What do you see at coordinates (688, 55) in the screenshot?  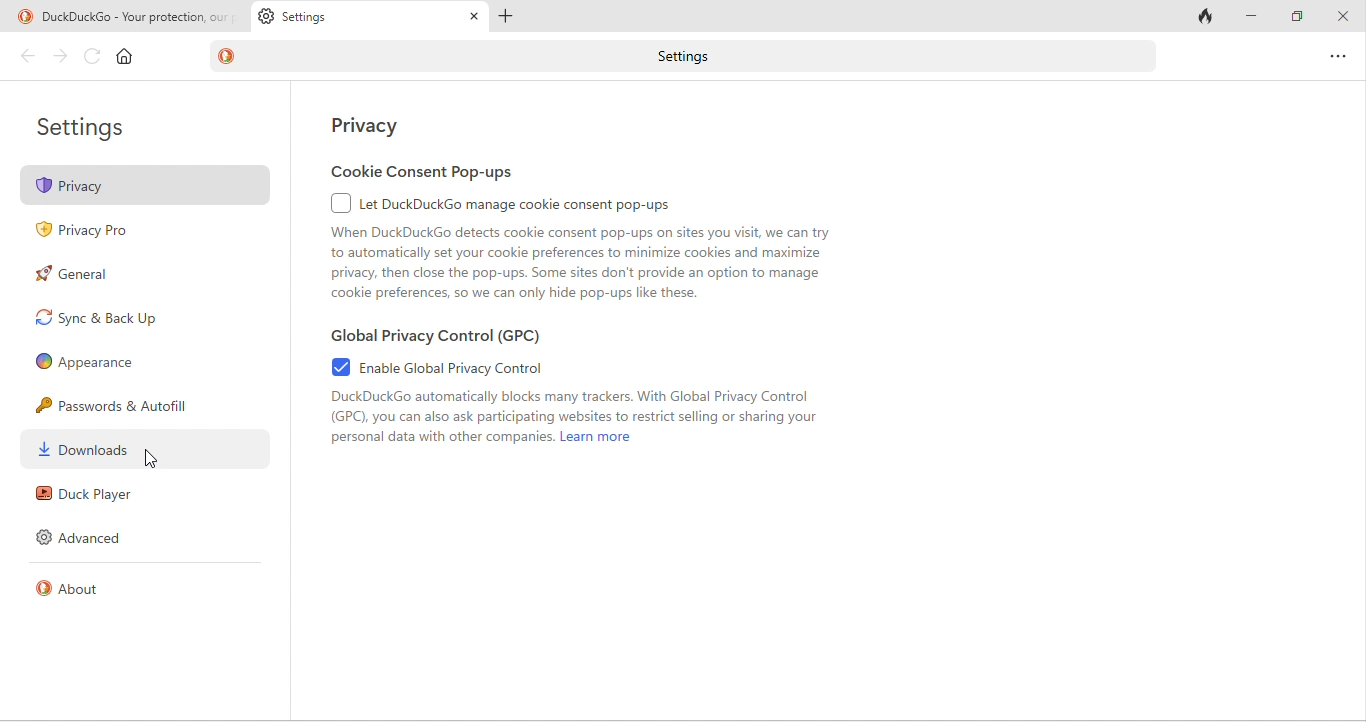 I see `settings` at bounding box center [688, 55].